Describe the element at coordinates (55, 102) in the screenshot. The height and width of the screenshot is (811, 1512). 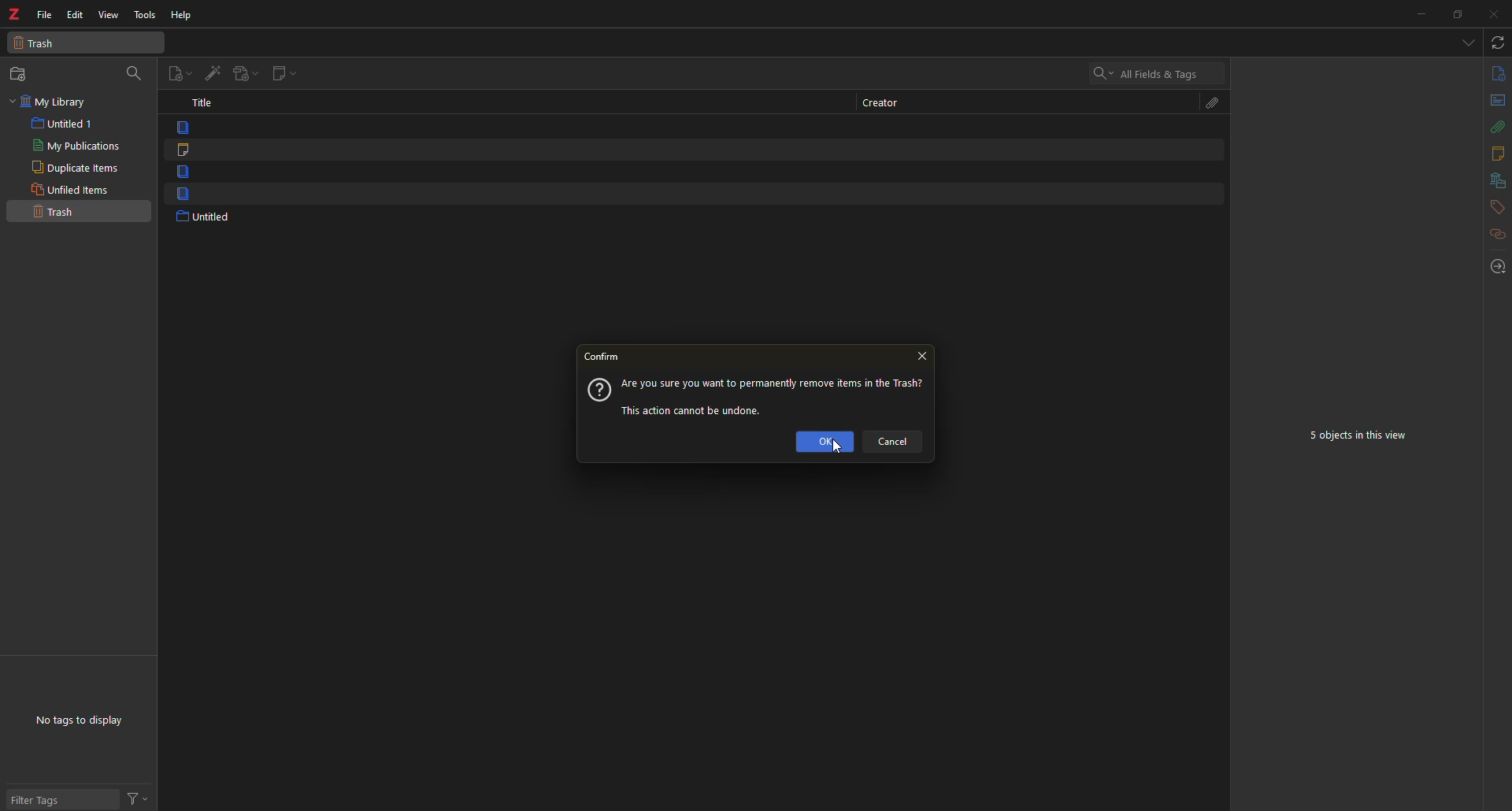
I see `my library` at that location.